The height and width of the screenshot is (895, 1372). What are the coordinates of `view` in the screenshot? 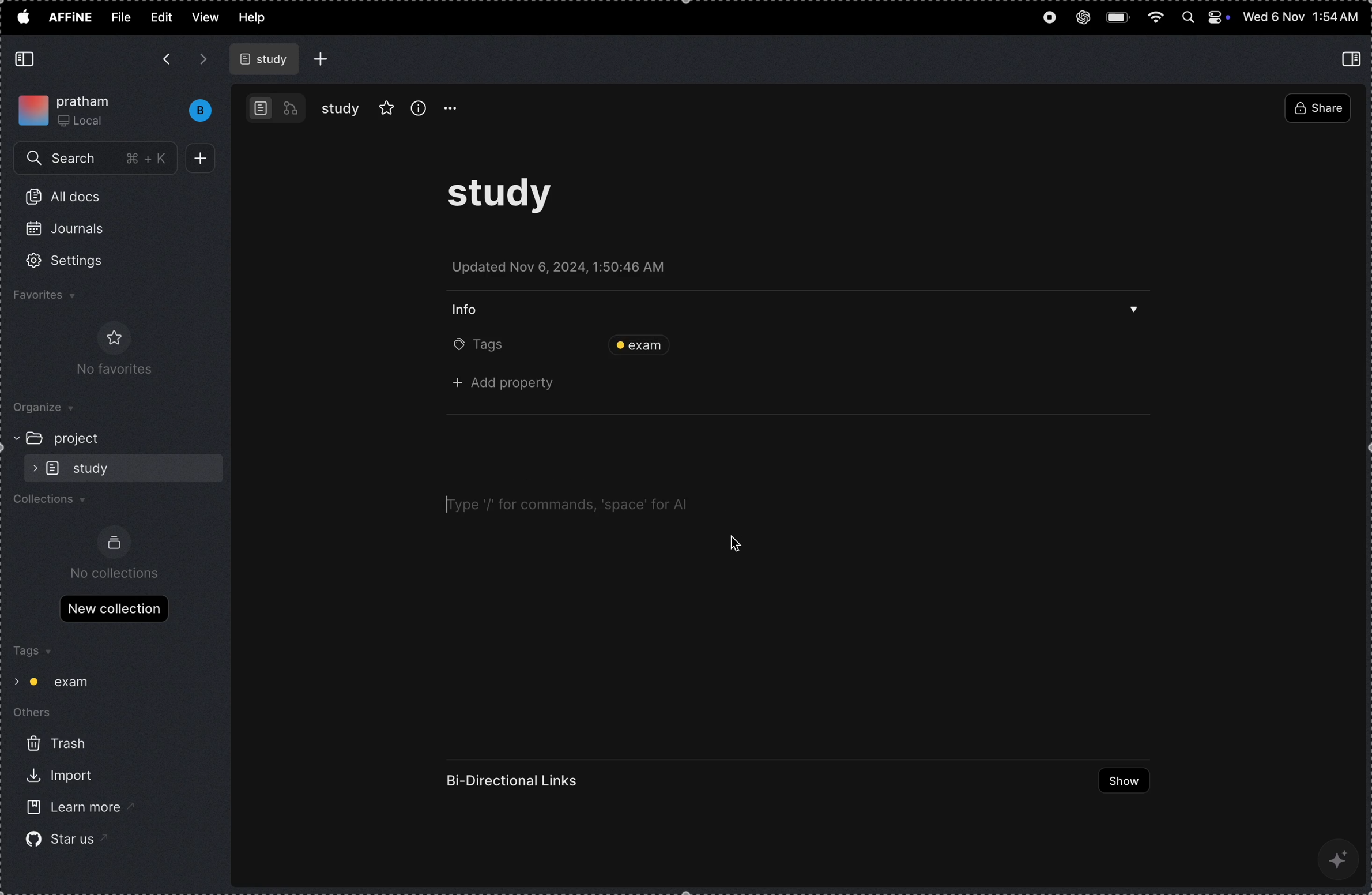 It's located at (205, 17).